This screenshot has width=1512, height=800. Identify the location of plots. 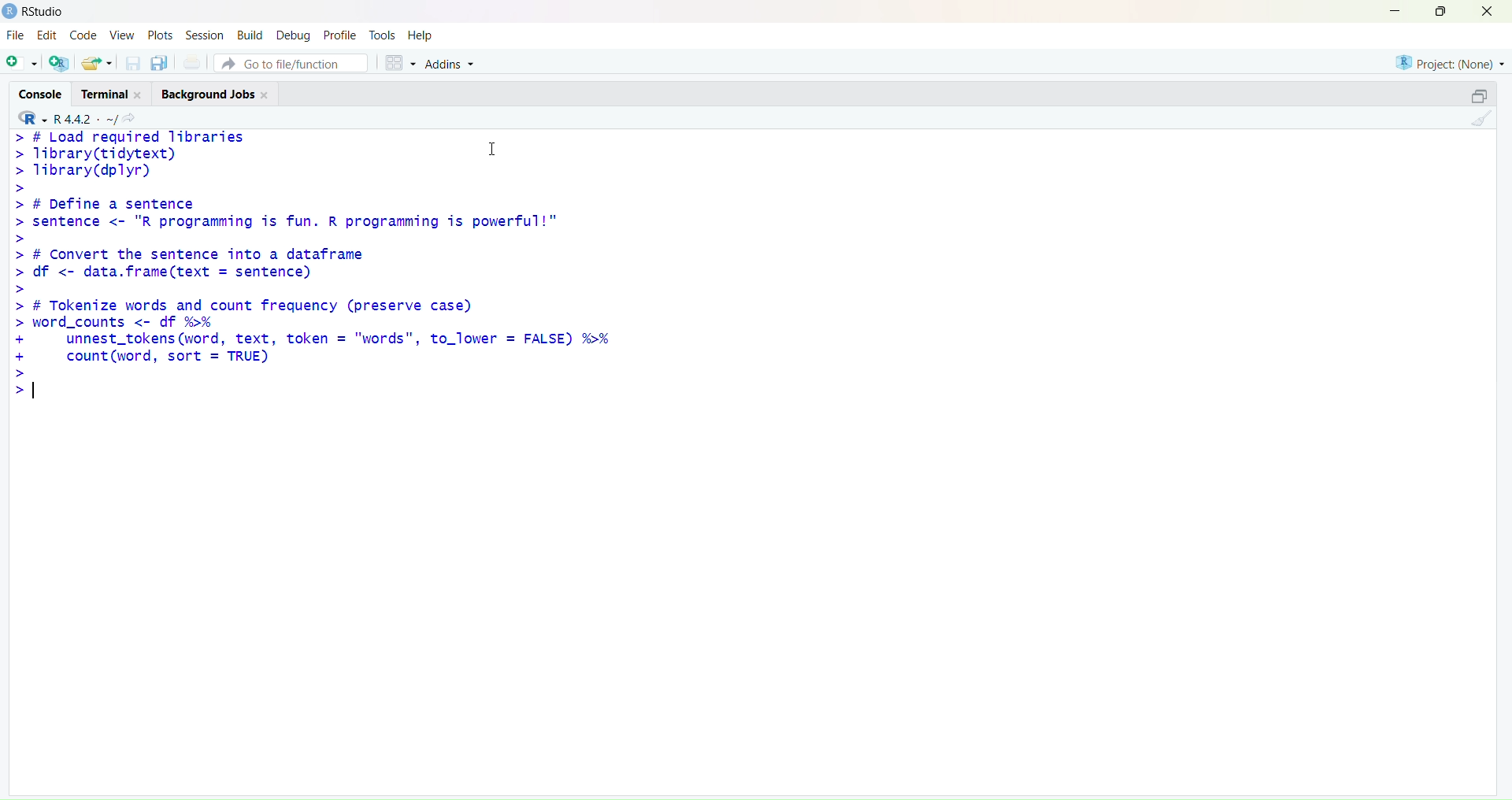
(161, 35).